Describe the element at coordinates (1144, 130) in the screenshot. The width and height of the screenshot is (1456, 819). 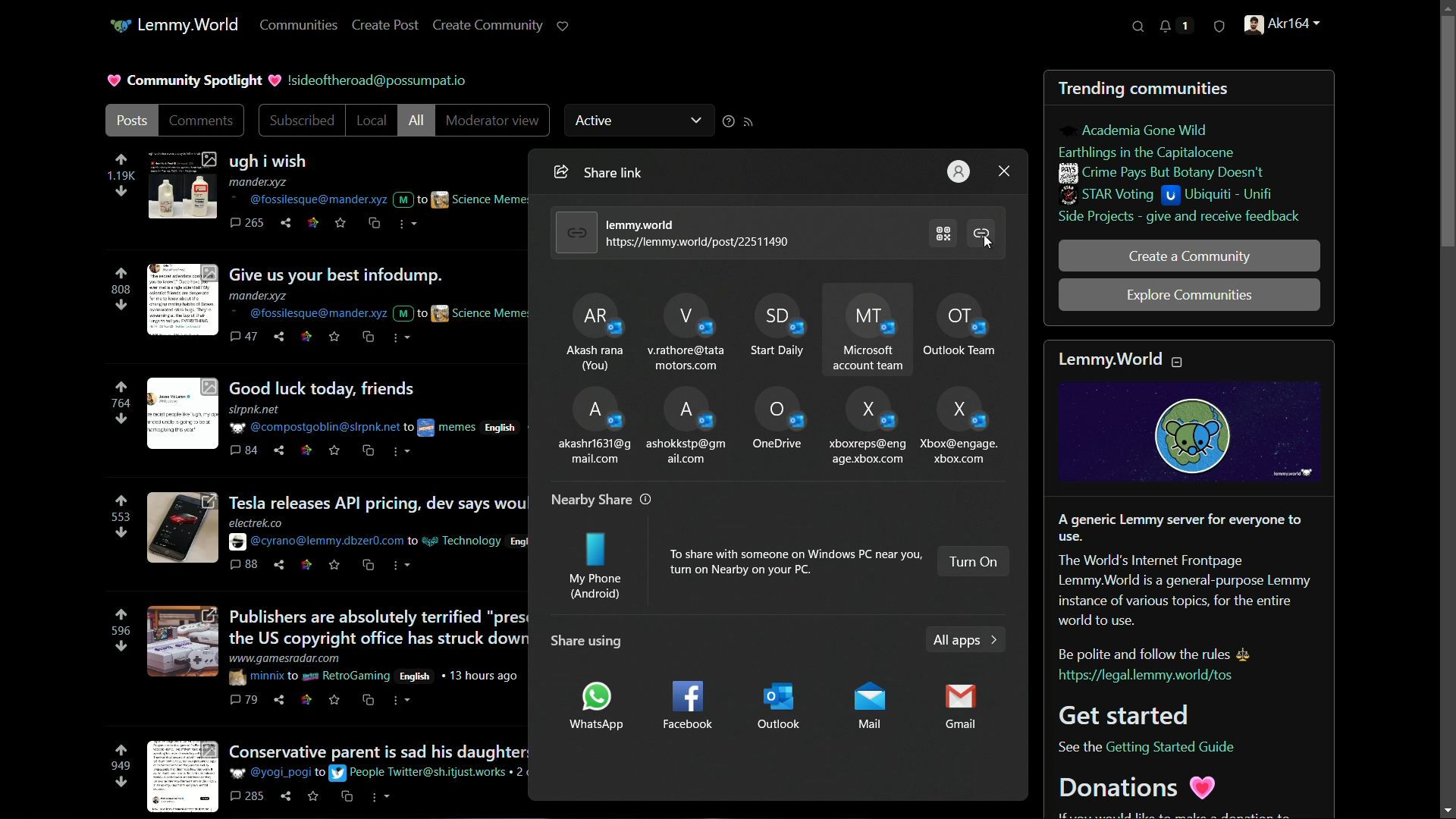
I see `academia gone wild` at that location.